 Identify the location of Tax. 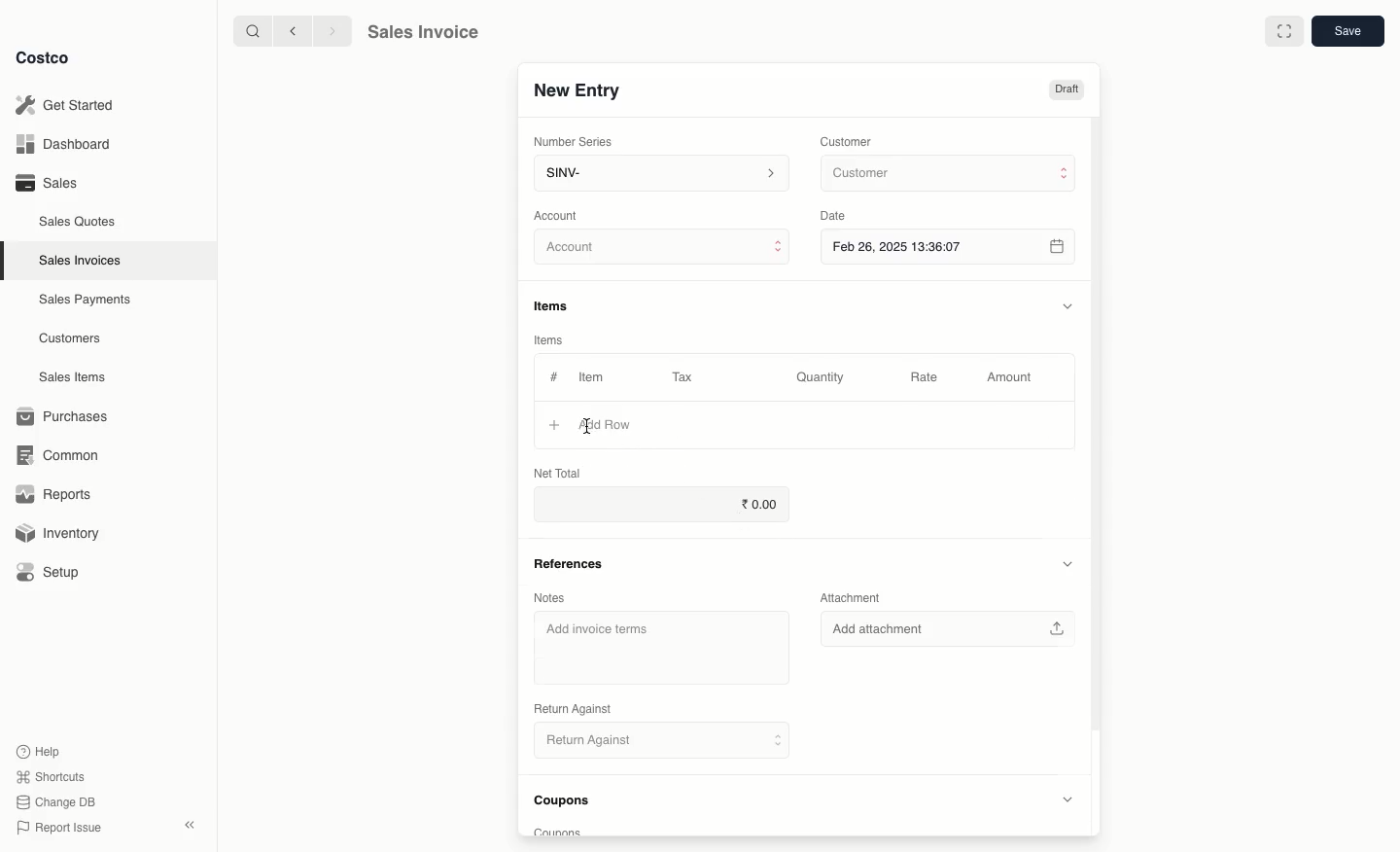
(682, 373).